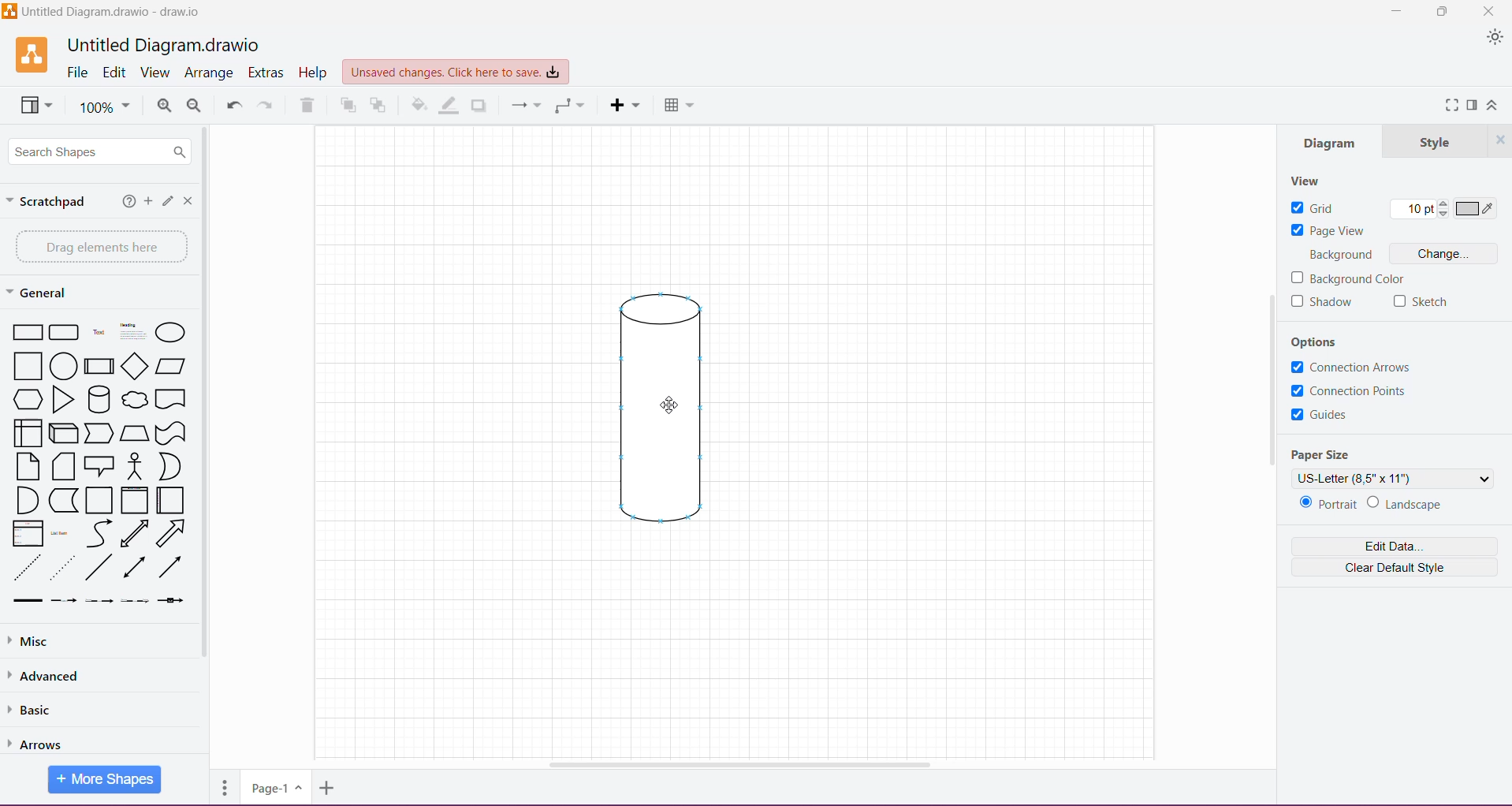  I want to click on , so click(626, 106).